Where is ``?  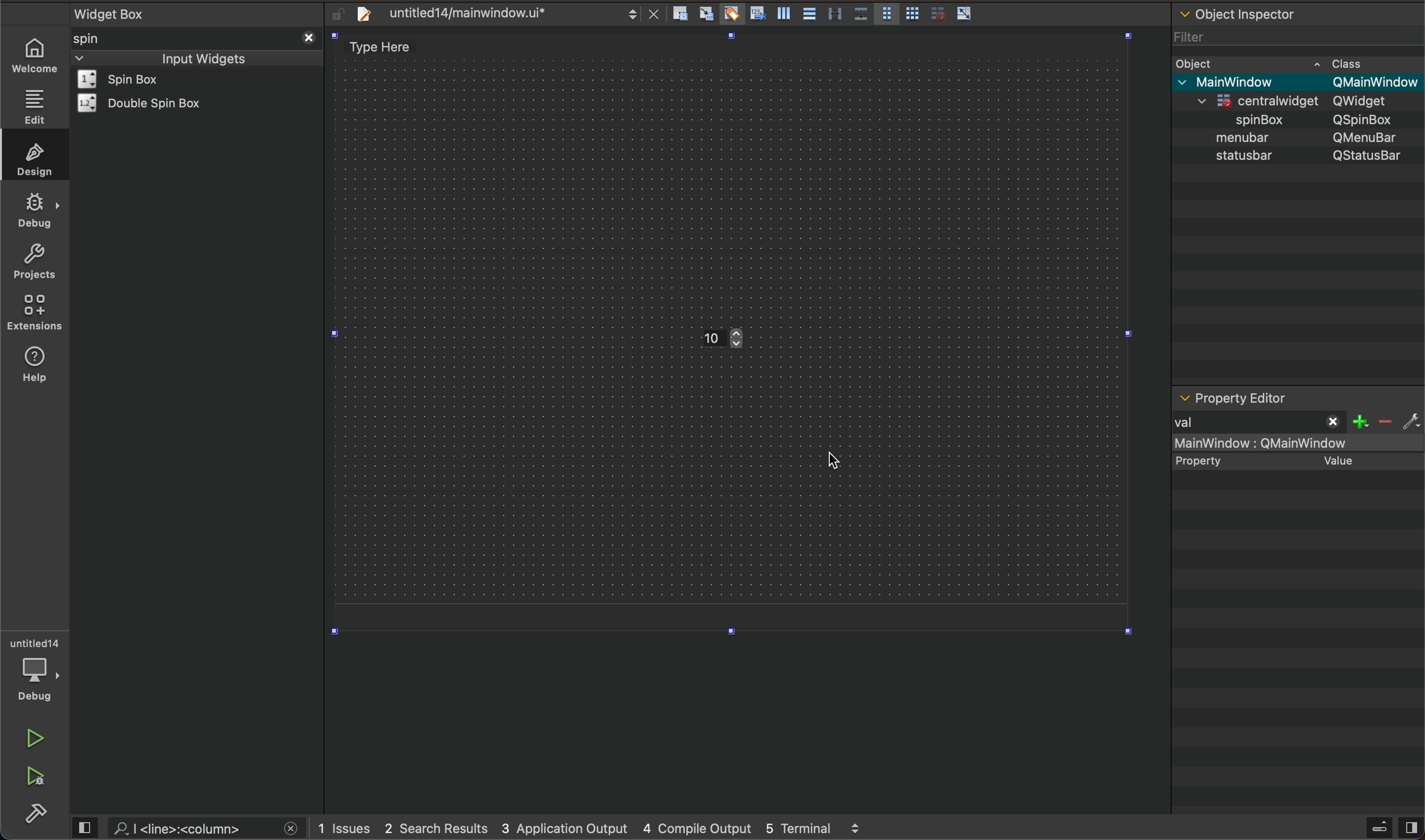  is located at coordinates (1246, 81).